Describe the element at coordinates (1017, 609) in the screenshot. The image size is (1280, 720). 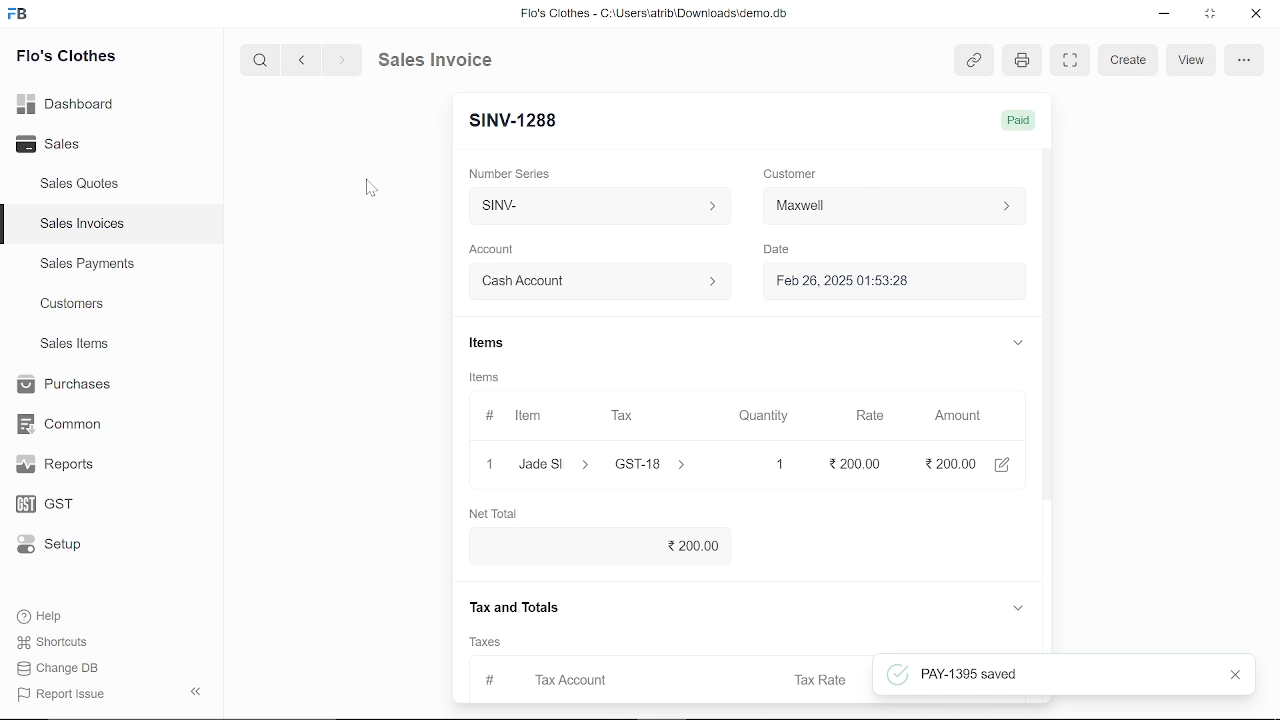
I see `expand` at that location.